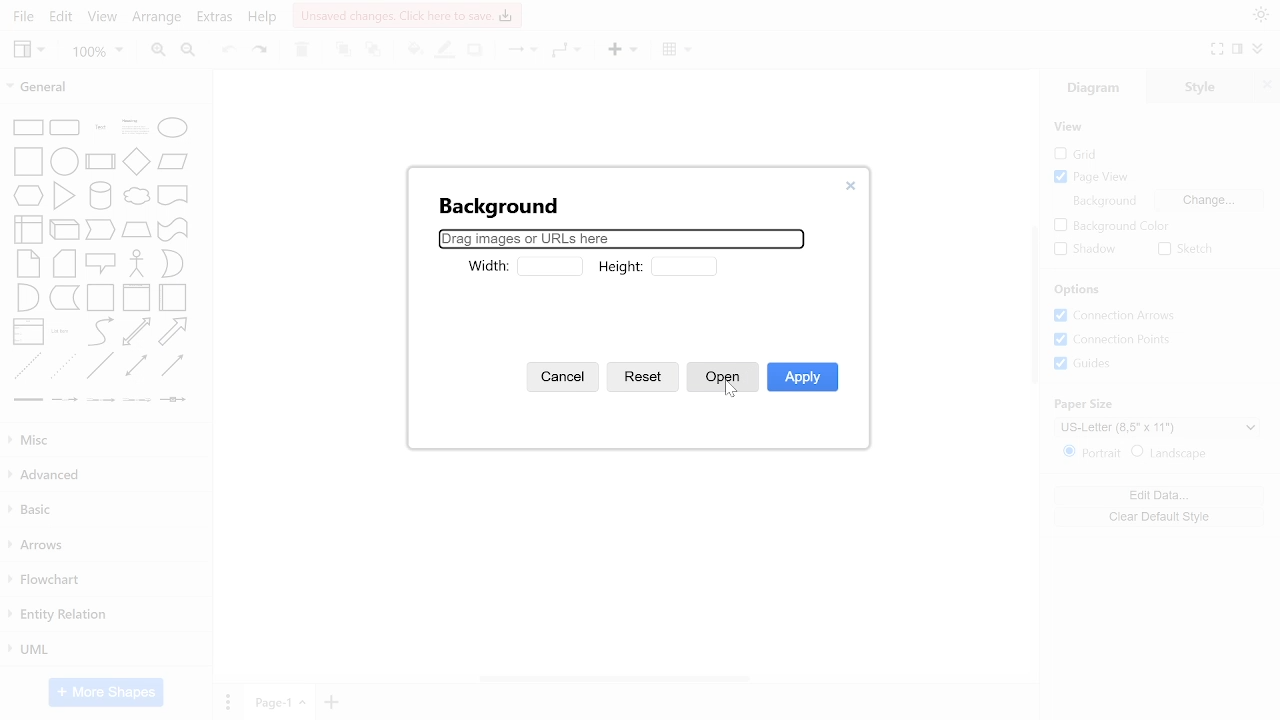  I want to click on general shapes, so click(133, 365).